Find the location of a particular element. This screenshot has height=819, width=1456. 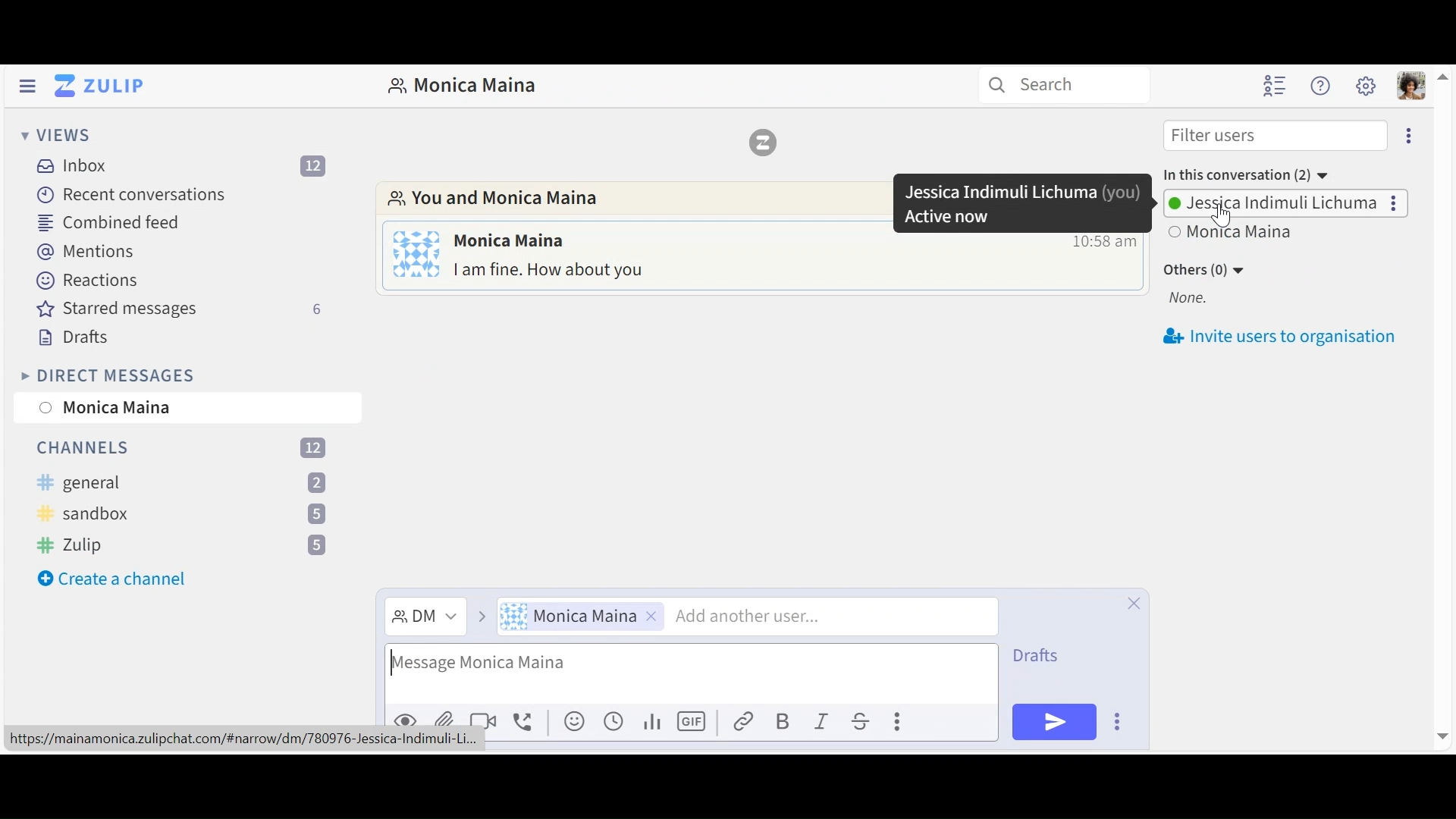

Direct Messages with user is located at coordinates (462, 86).